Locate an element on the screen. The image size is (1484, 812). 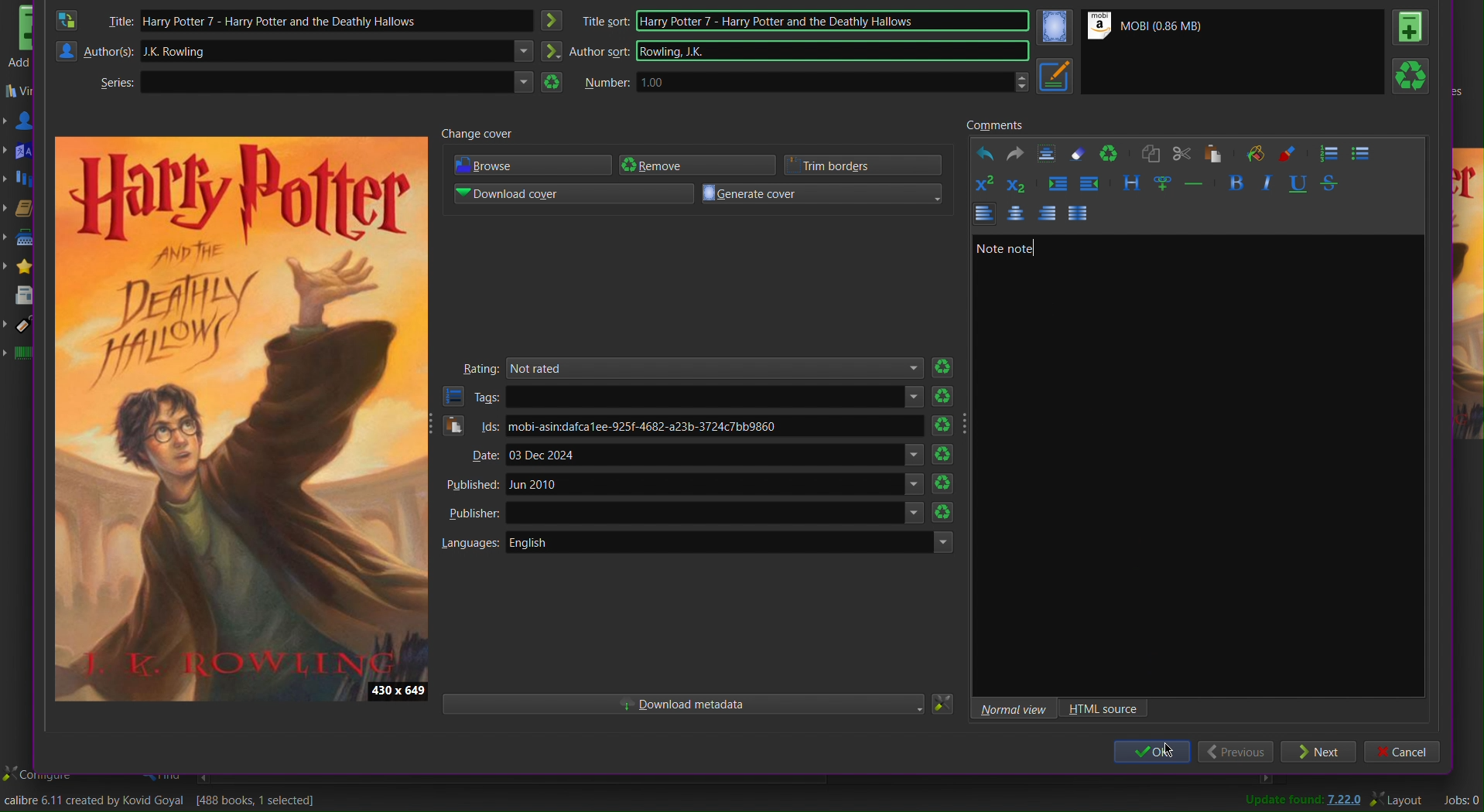
Published is located at coordinates (471, 485).